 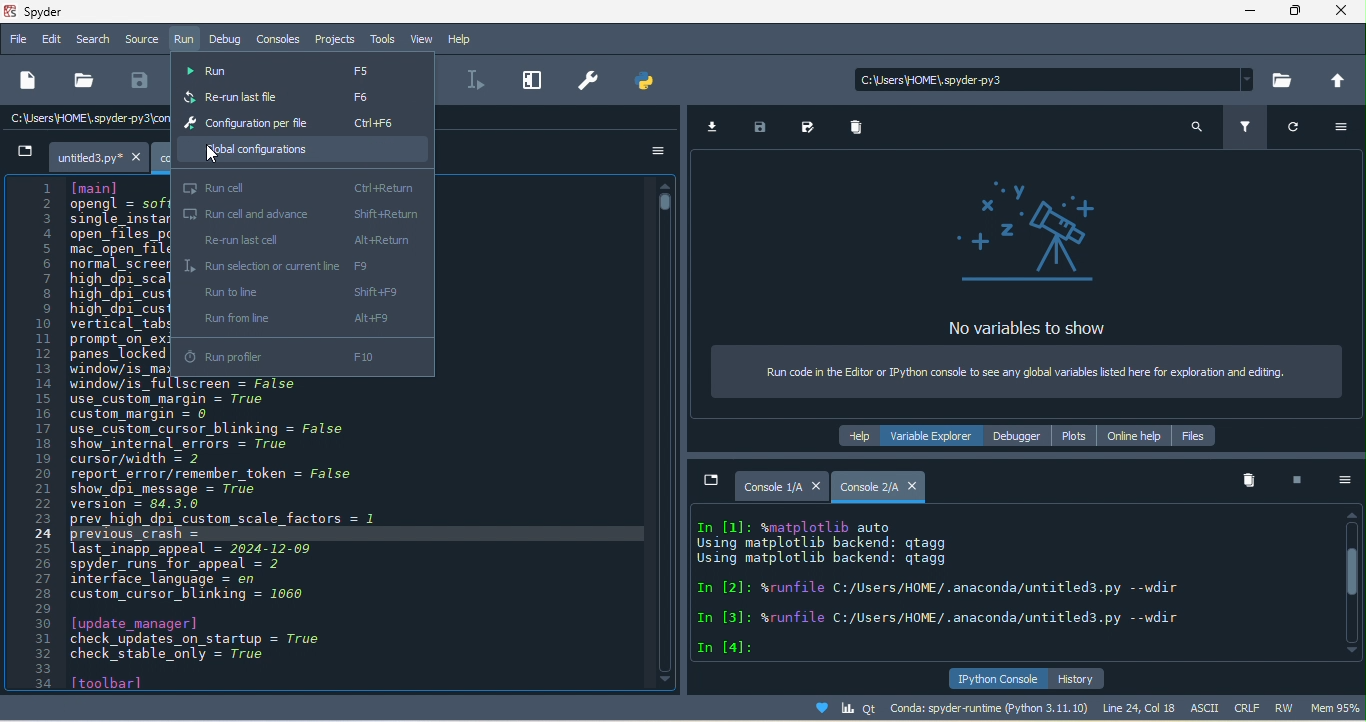 I want to click on close, so click(x=1345, y=15).